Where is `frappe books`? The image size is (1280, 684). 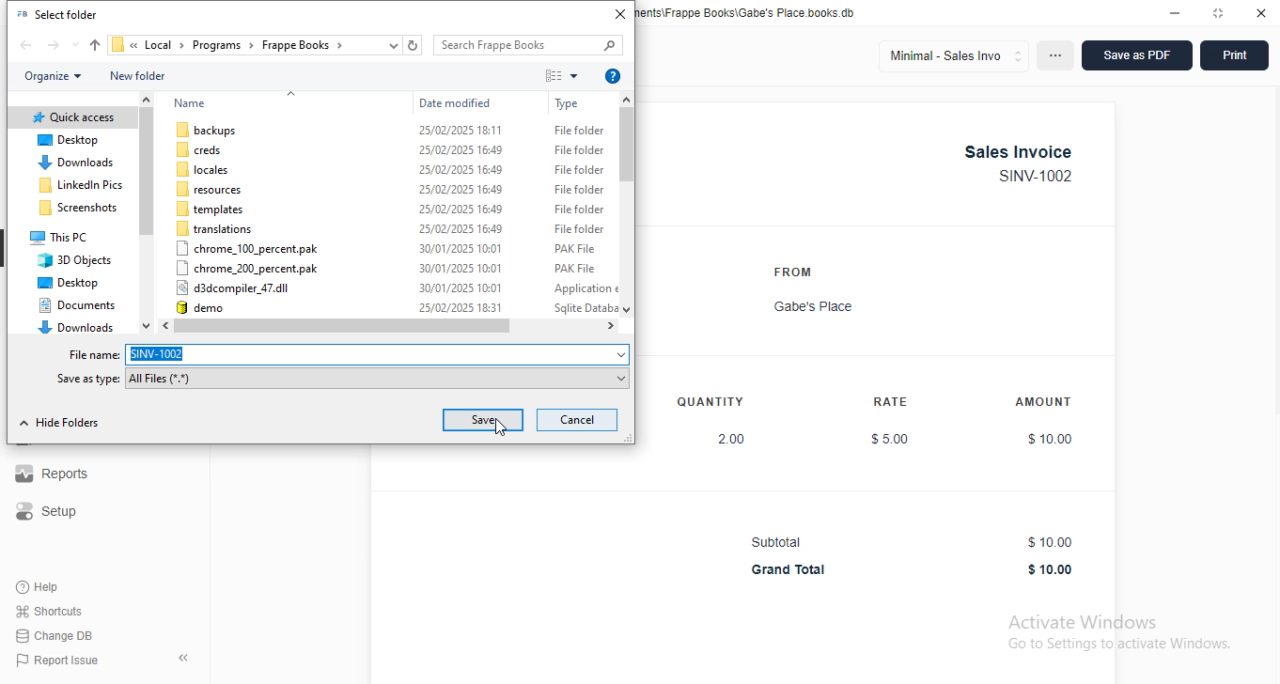 frappe books is located at coordinates (295, 45).